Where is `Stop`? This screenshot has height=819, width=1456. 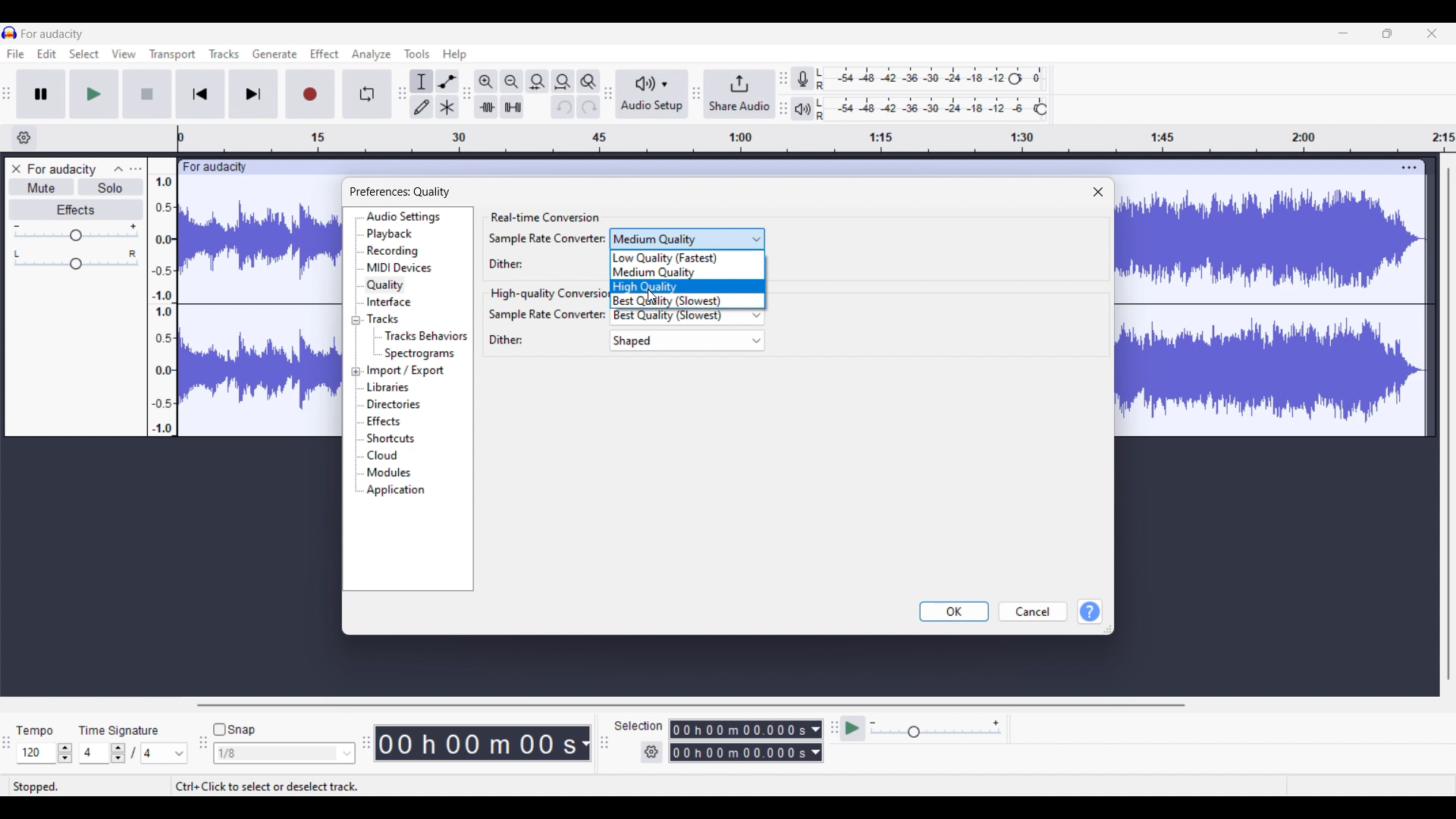 Stop is located at coordinates (146, 94).